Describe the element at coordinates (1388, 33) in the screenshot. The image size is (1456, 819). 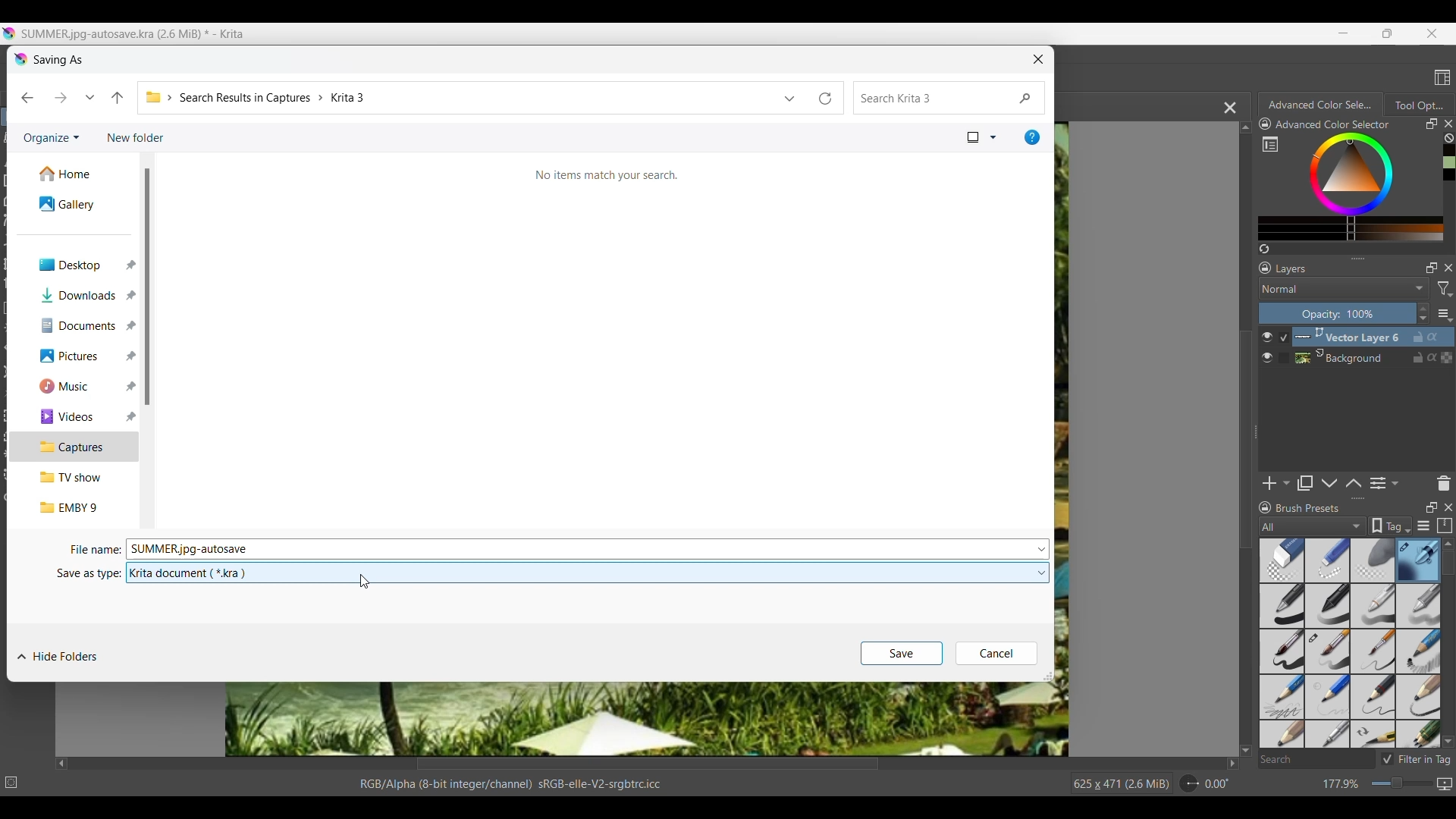
I see `Show interface in a smaller tab` at that location.